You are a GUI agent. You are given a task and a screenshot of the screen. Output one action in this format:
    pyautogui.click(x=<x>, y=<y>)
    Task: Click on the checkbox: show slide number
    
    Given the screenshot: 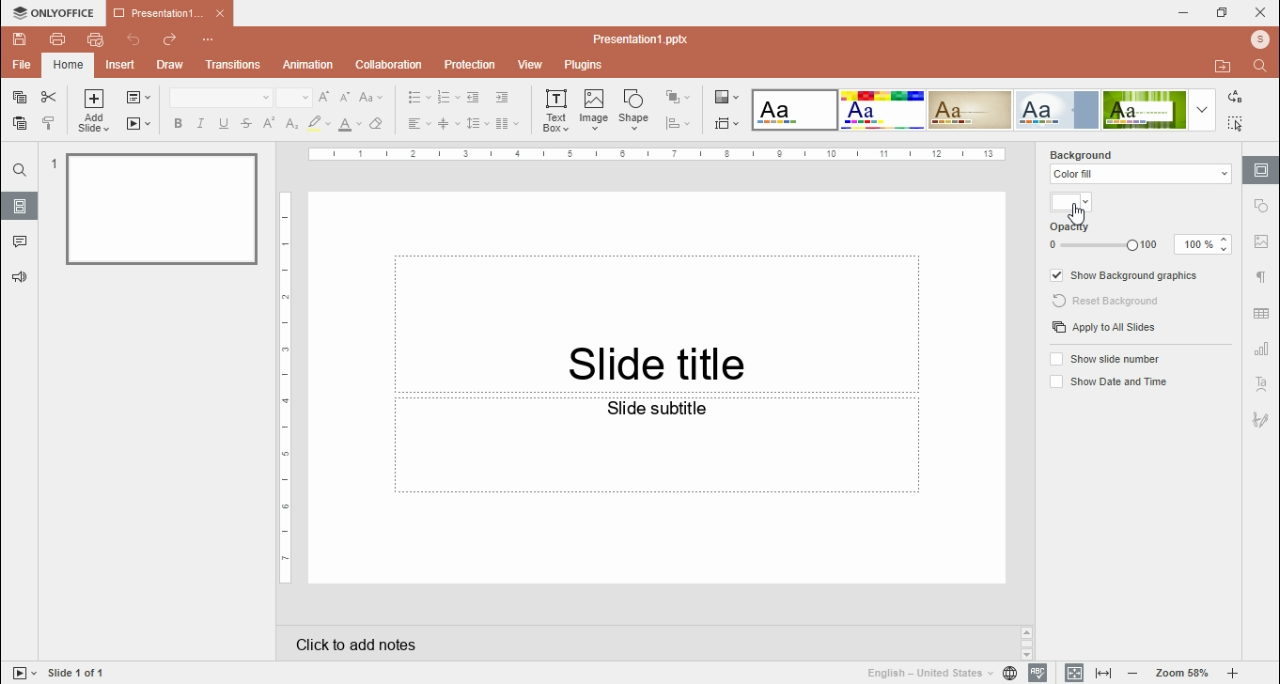 What is the action you would take?
    pyautogui.click(x=1103, y=360)
    